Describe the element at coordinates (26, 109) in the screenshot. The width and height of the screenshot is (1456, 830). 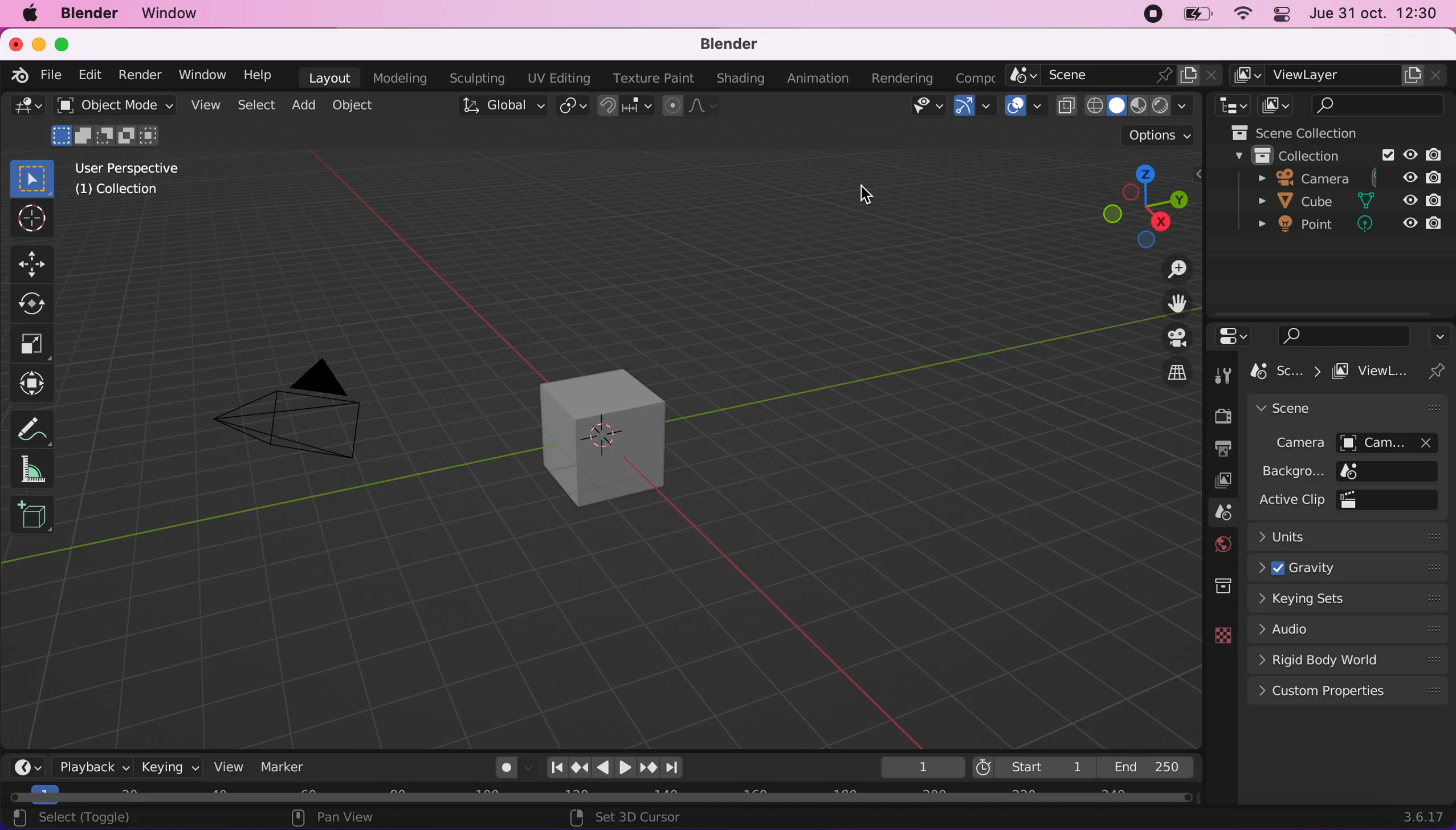
I see `editor type` at that location.